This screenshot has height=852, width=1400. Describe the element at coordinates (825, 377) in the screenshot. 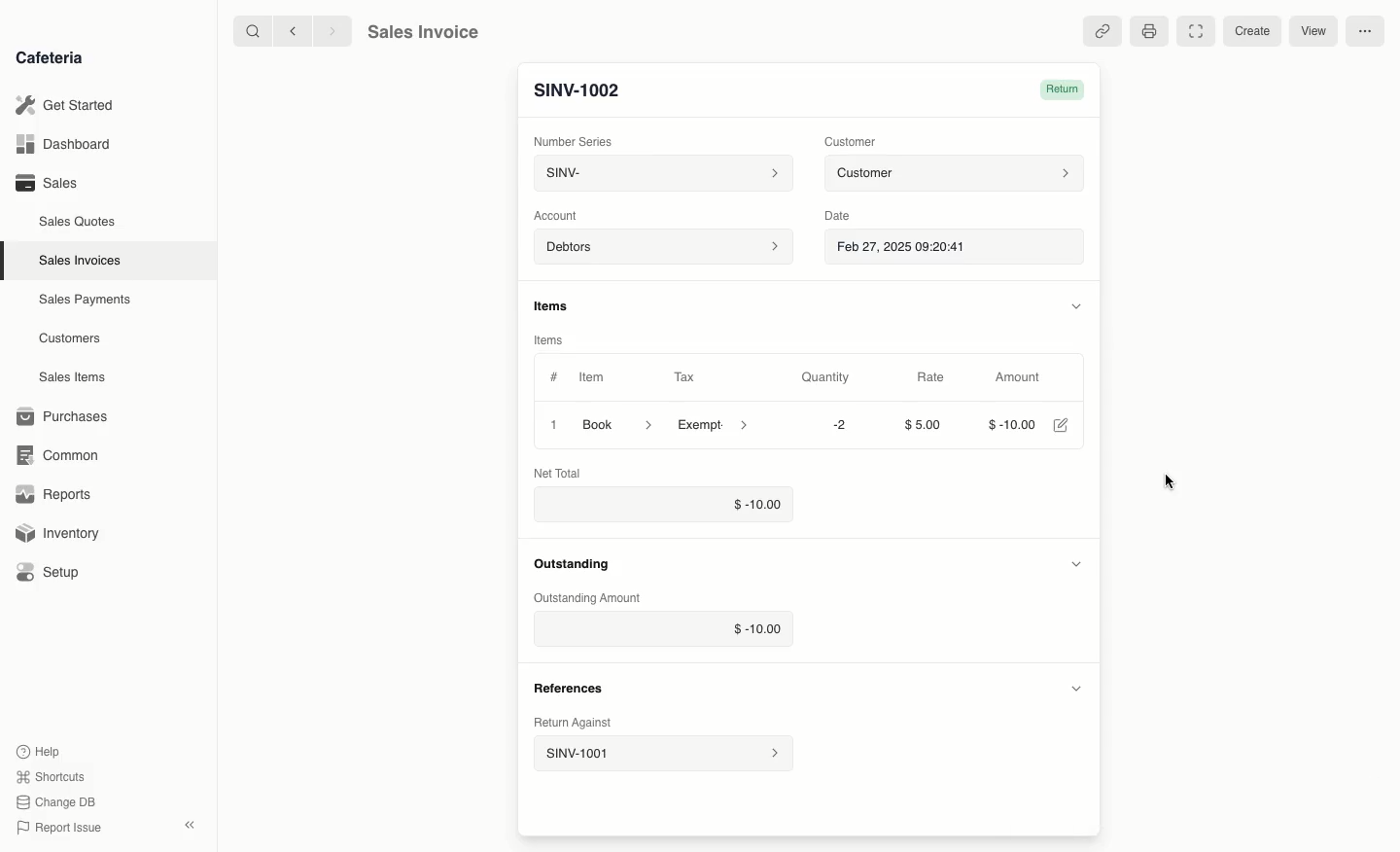

I see `Quantity` at that location.